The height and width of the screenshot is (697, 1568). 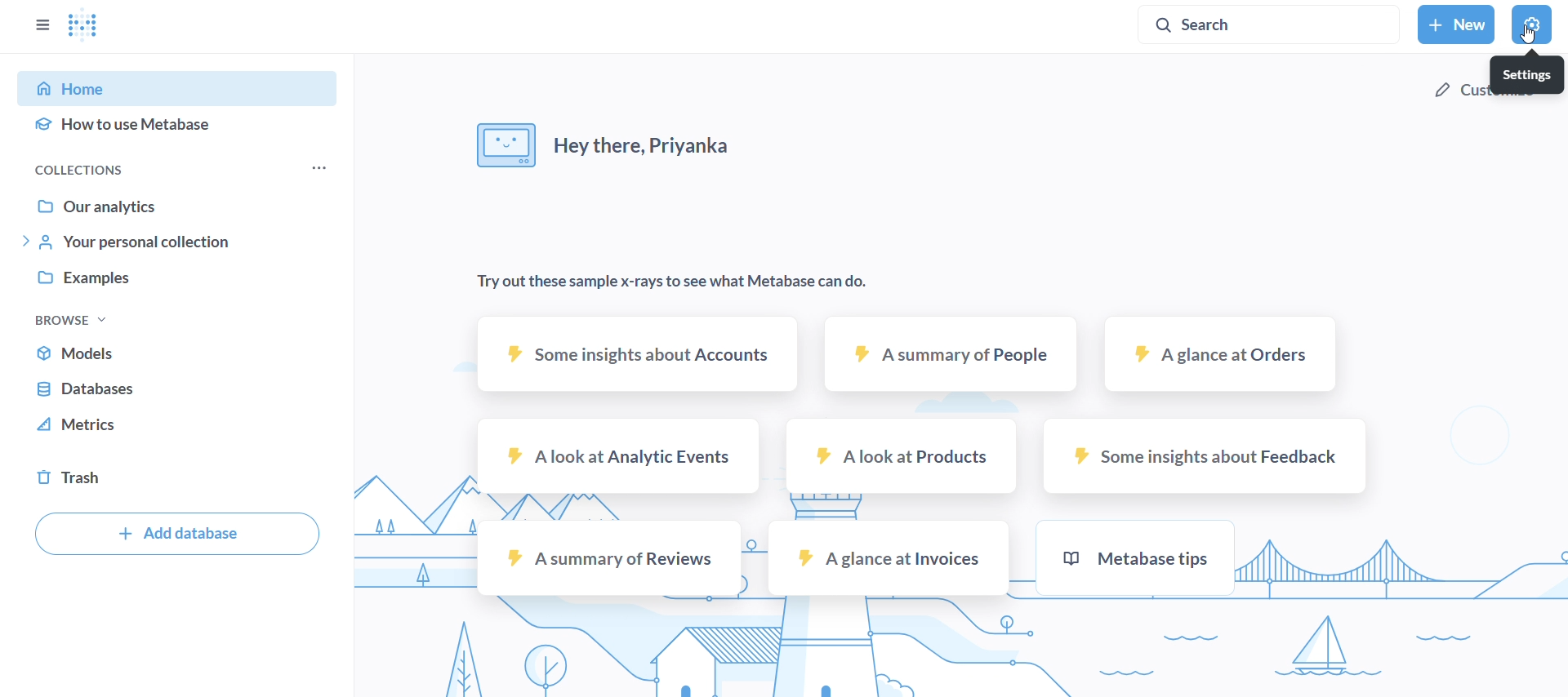 What do you see at coordinates (181, 206) in the screenshot?
I see `our analytics` at bounding box center [181, 206].